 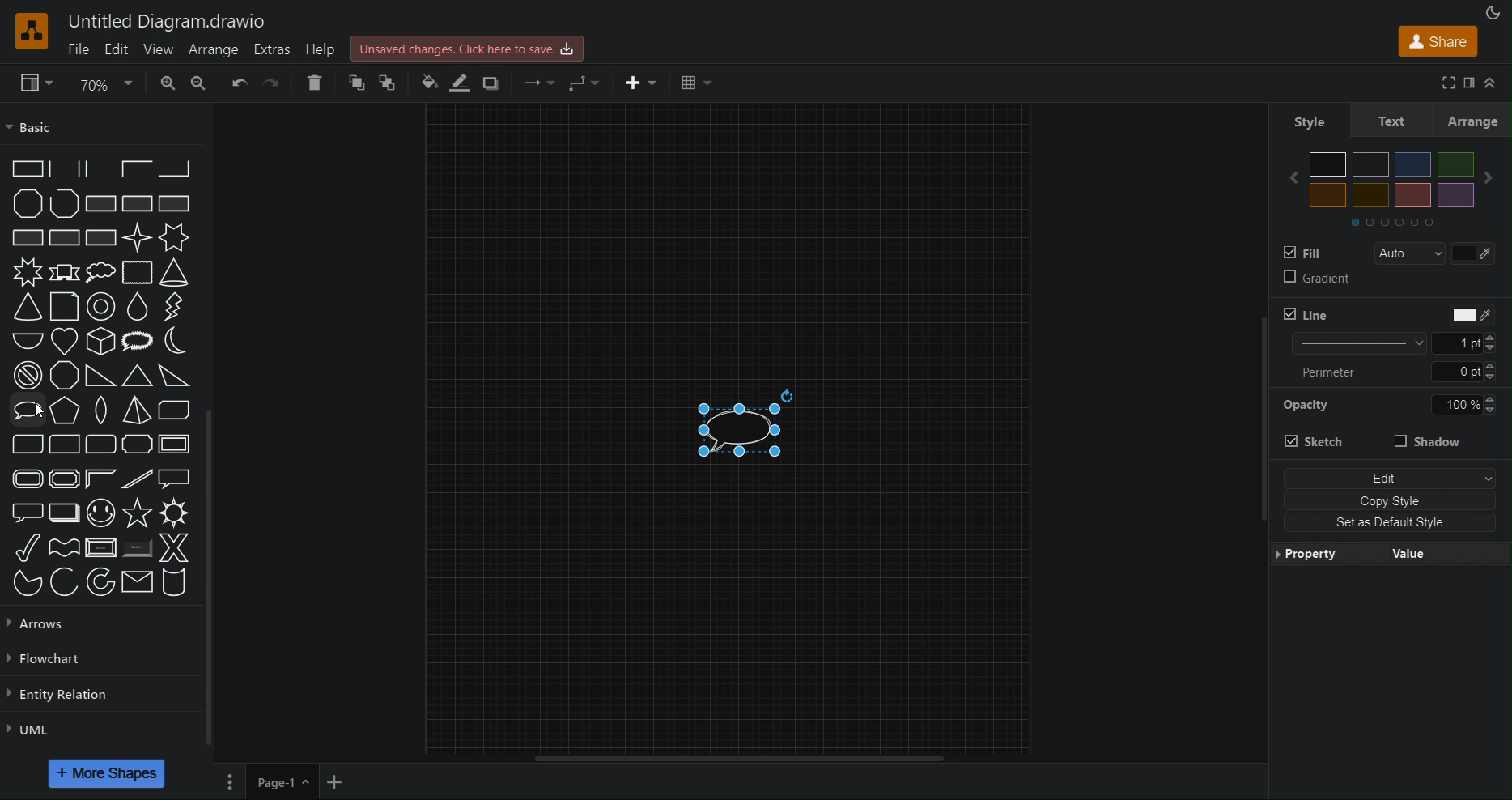 What do you see at coordinates (43, 624) in the screenshot?
I see `Arrows` at bounding box center [43, 624].